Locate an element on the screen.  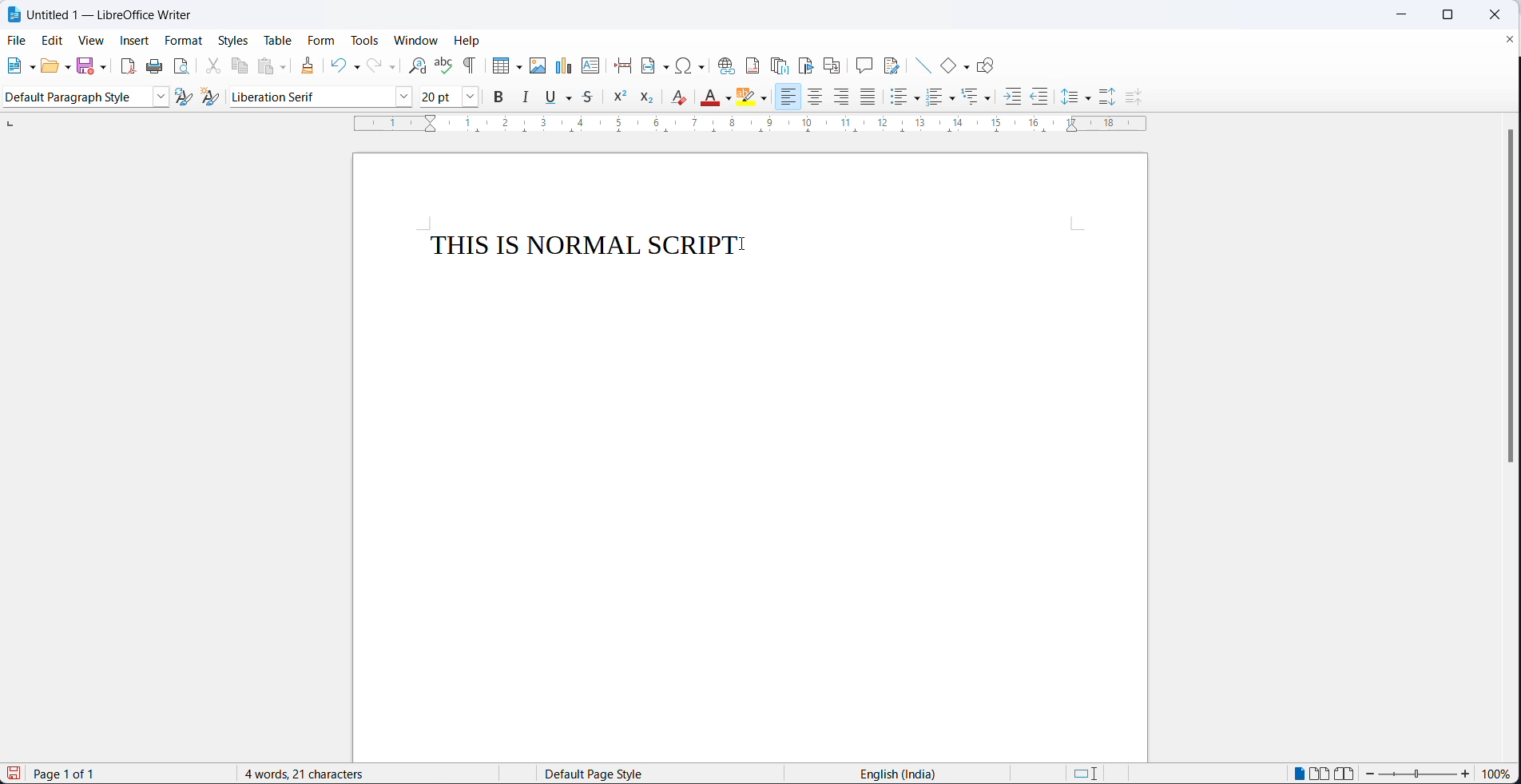
toggle ordered list is located at coordinates (935, 97).